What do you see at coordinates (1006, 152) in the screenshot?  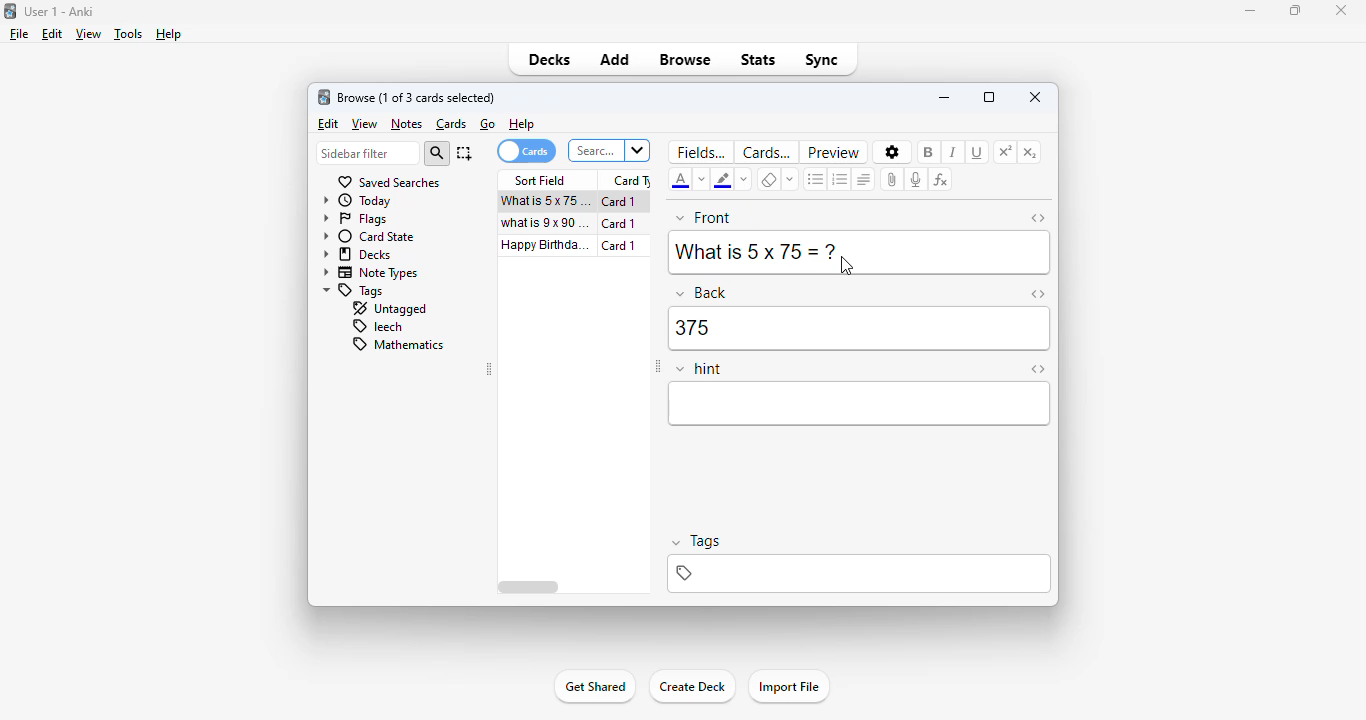 I see `superscript` at bounding box center [1006, 152].